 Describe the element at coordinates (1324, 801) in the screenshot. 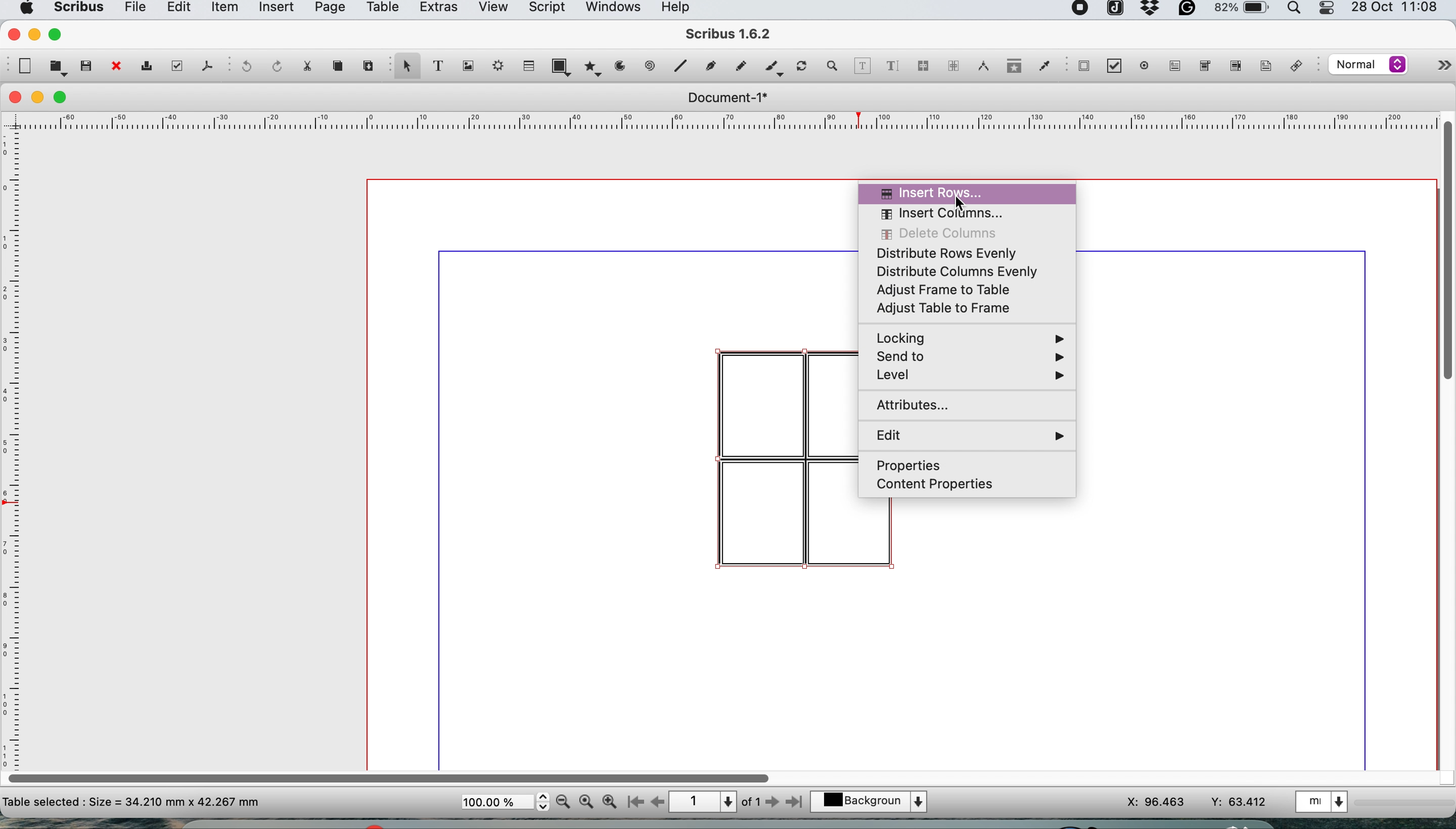

I see `select the current unit` at that location.